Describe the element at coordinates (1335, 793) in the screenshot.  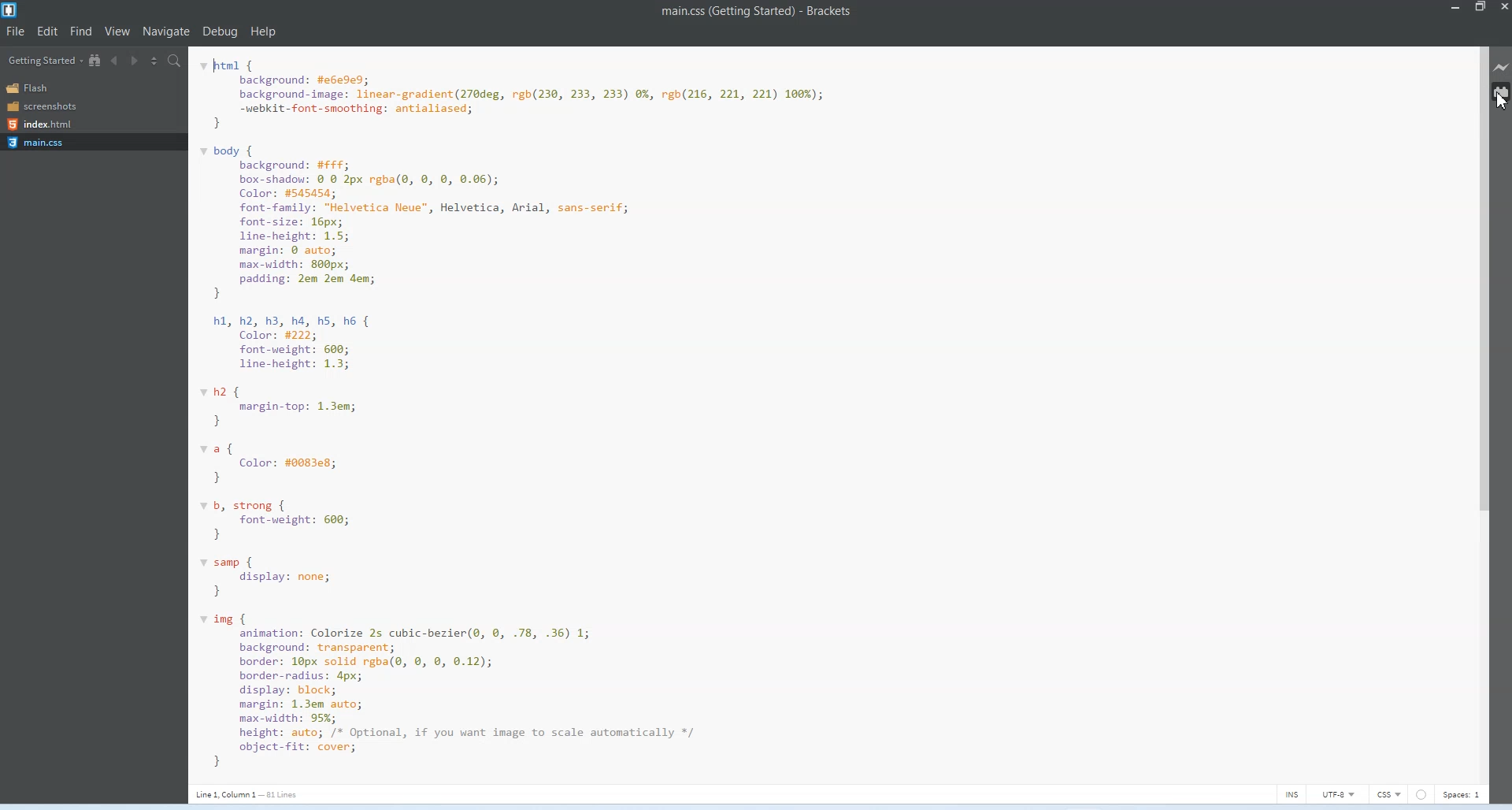
I see `UTF-8` at that location.